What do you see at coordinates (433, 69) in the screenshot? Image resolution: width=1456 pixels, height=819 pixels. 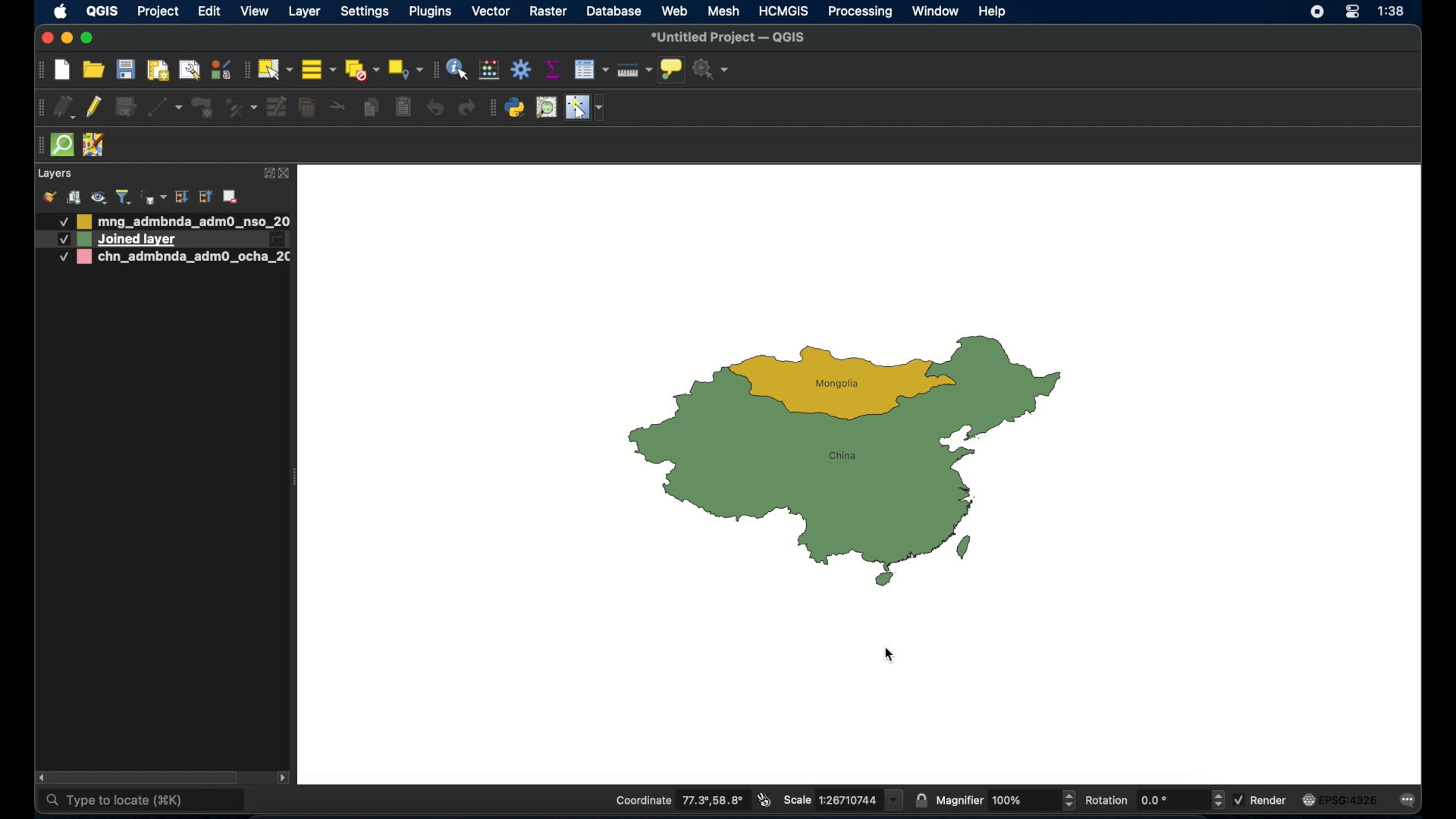 I see `attributes toolbar` at bounding box center [433, 69].